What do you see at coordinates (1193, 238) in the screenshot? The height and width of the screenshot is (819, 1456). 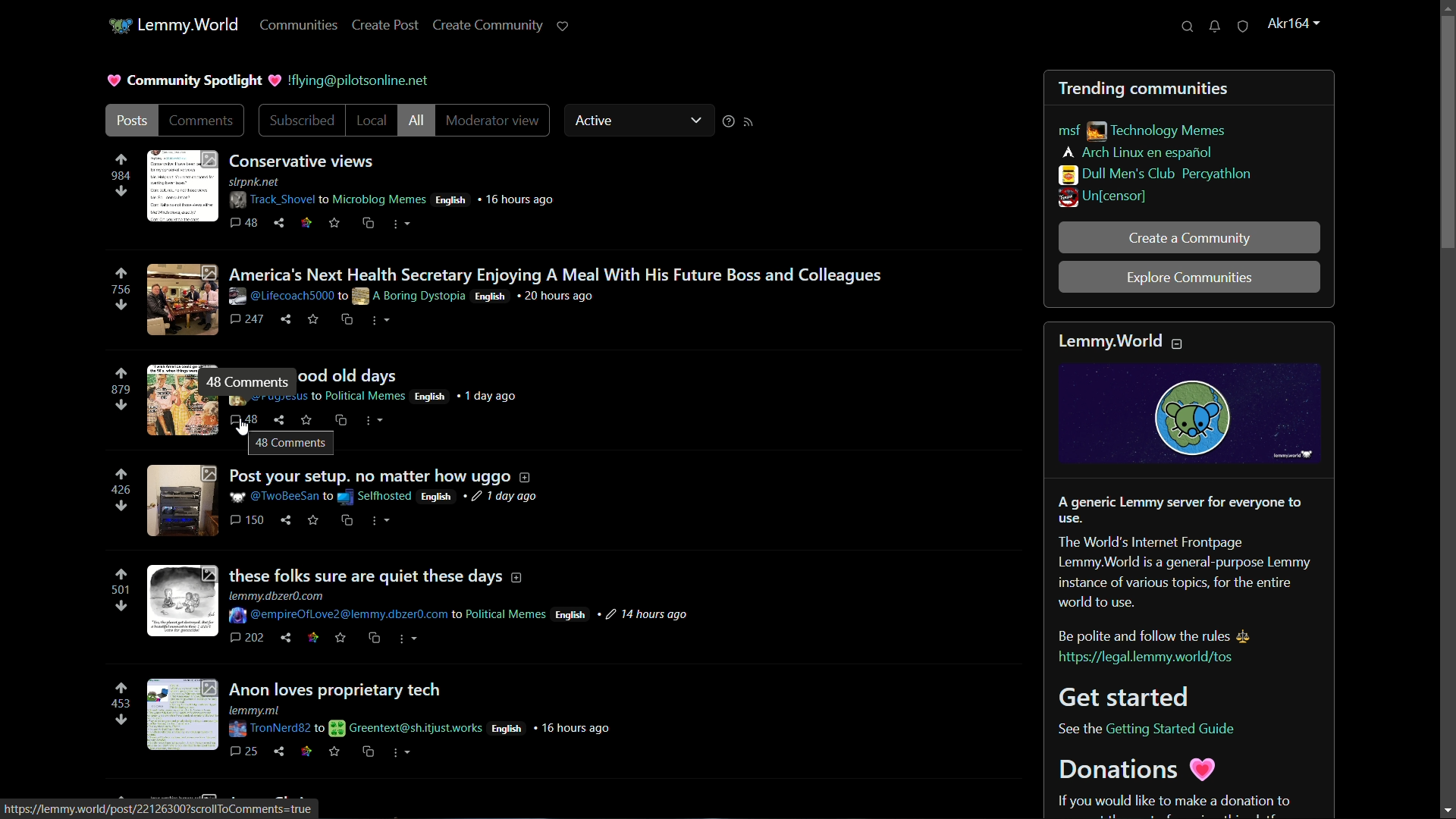 I see `create a community` at bounding box center [1193, 238].